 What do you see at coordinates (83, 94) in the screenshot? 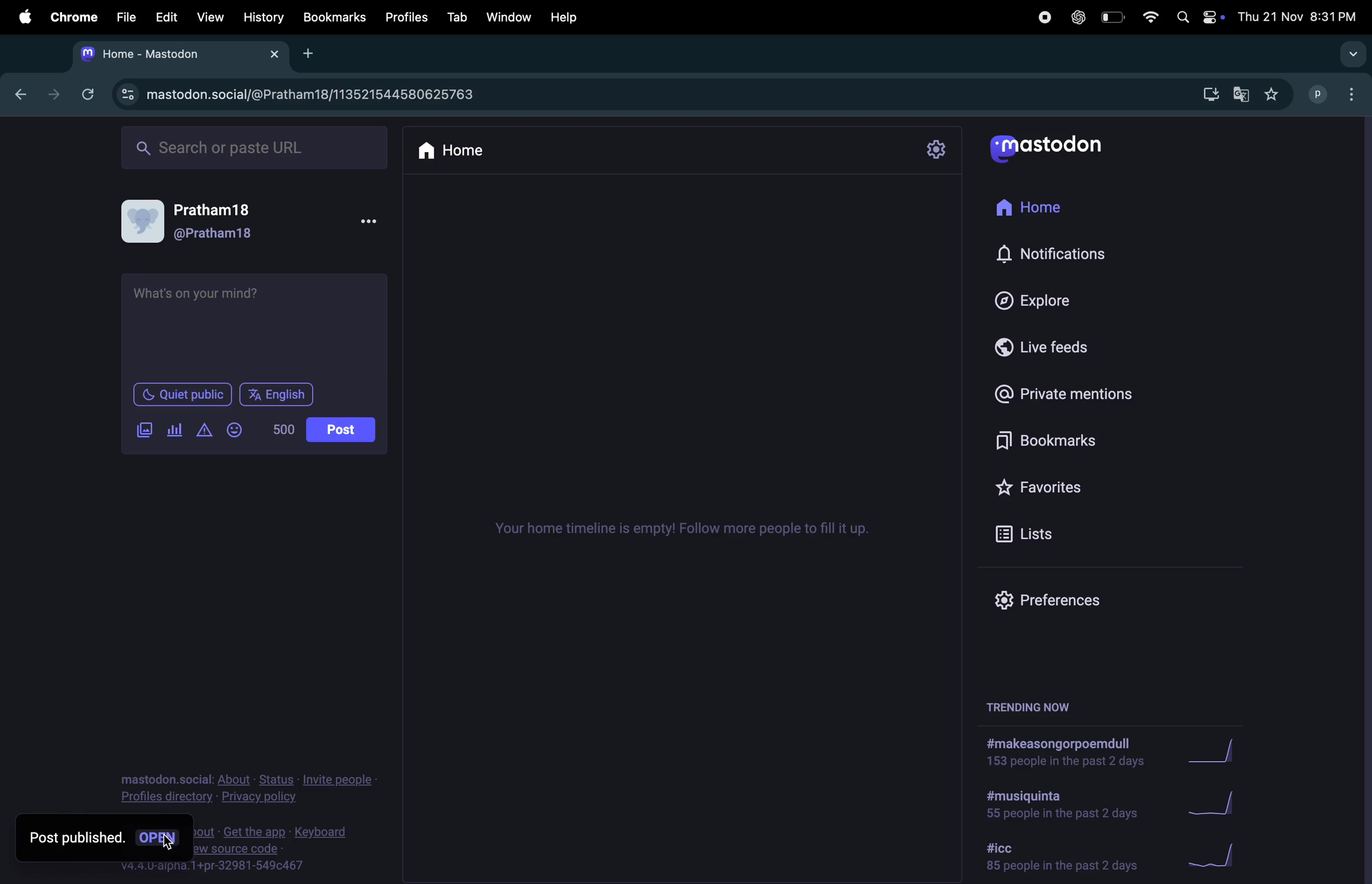
I see `refresh` at bounding box center [83, 94].